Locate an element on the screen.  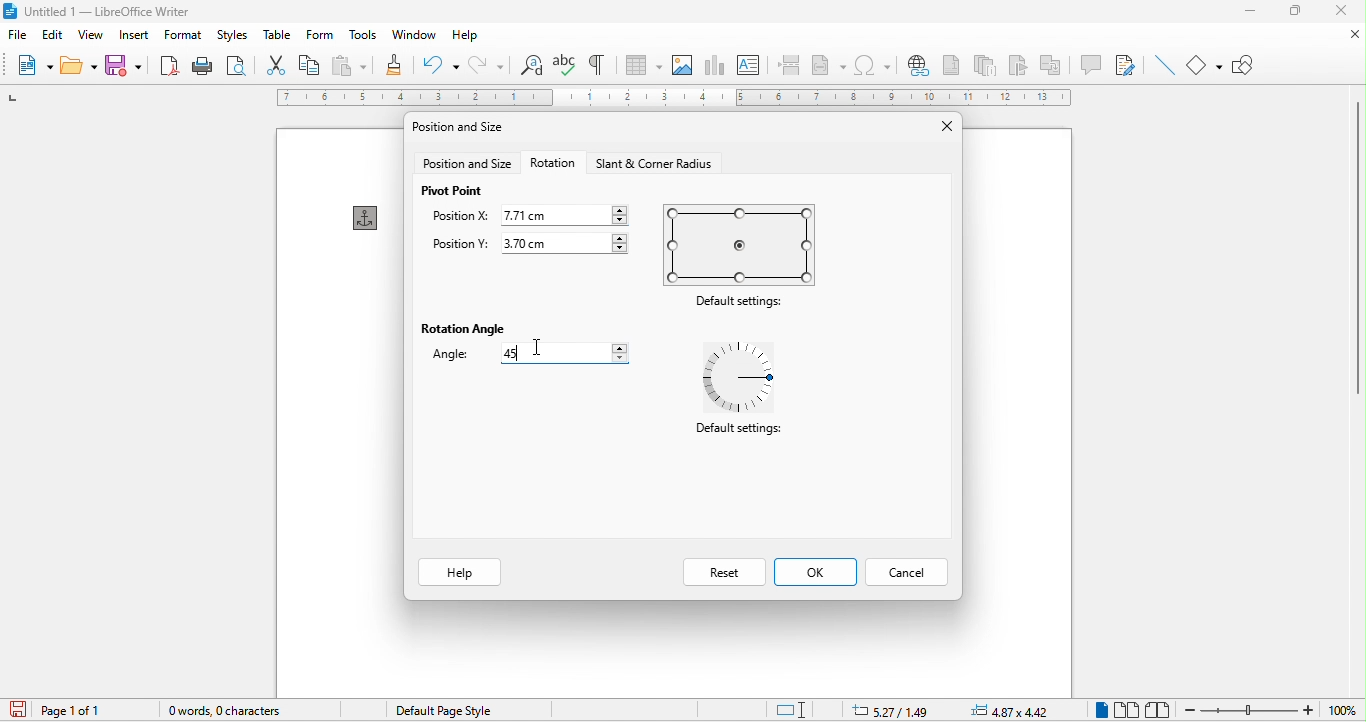
cross reference is located at coordinates (1056, 64).